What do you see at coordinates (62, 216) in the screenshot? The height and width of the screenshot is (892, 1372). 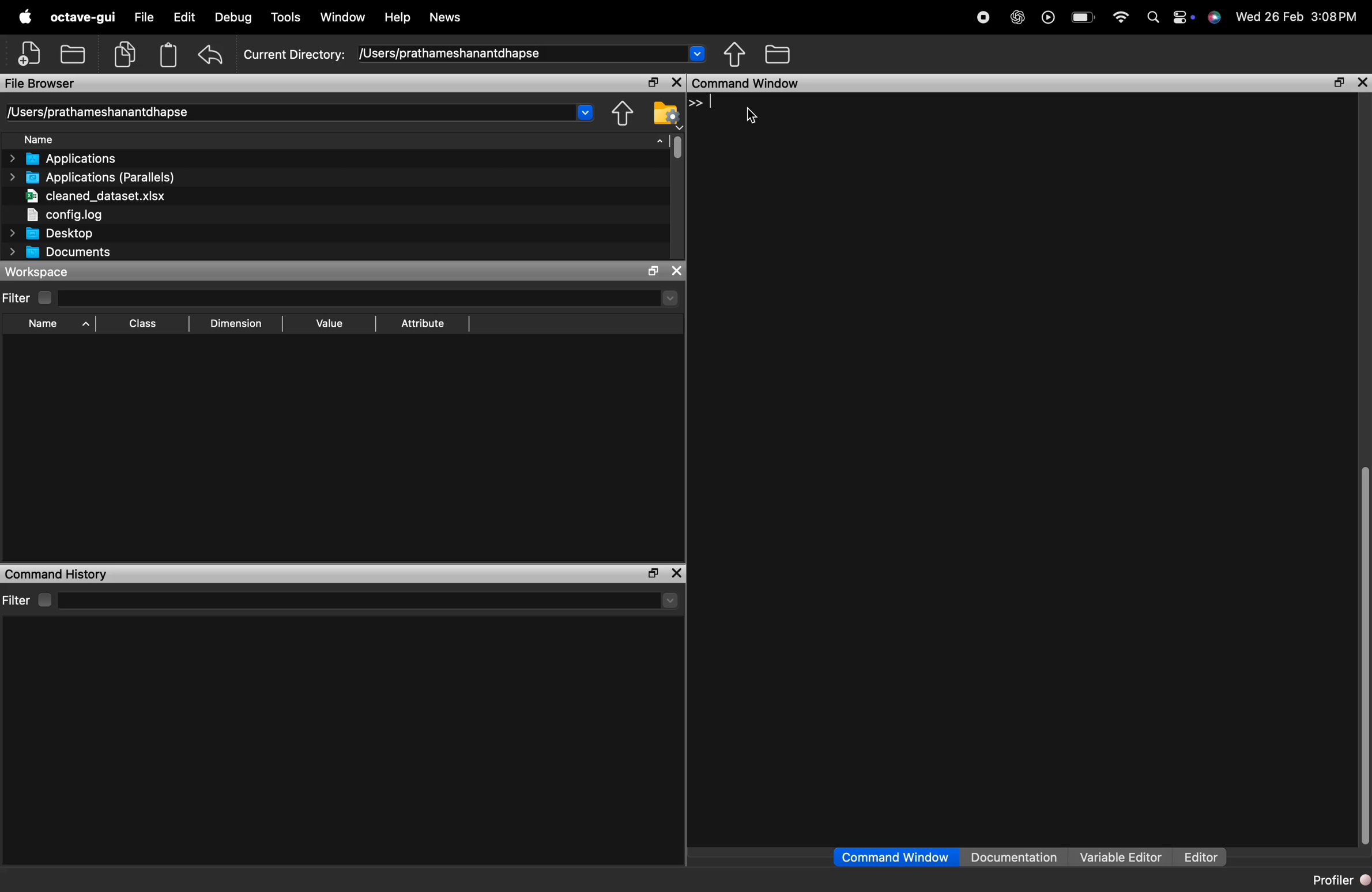 I see `config.log` at bounding box center [62, 216].